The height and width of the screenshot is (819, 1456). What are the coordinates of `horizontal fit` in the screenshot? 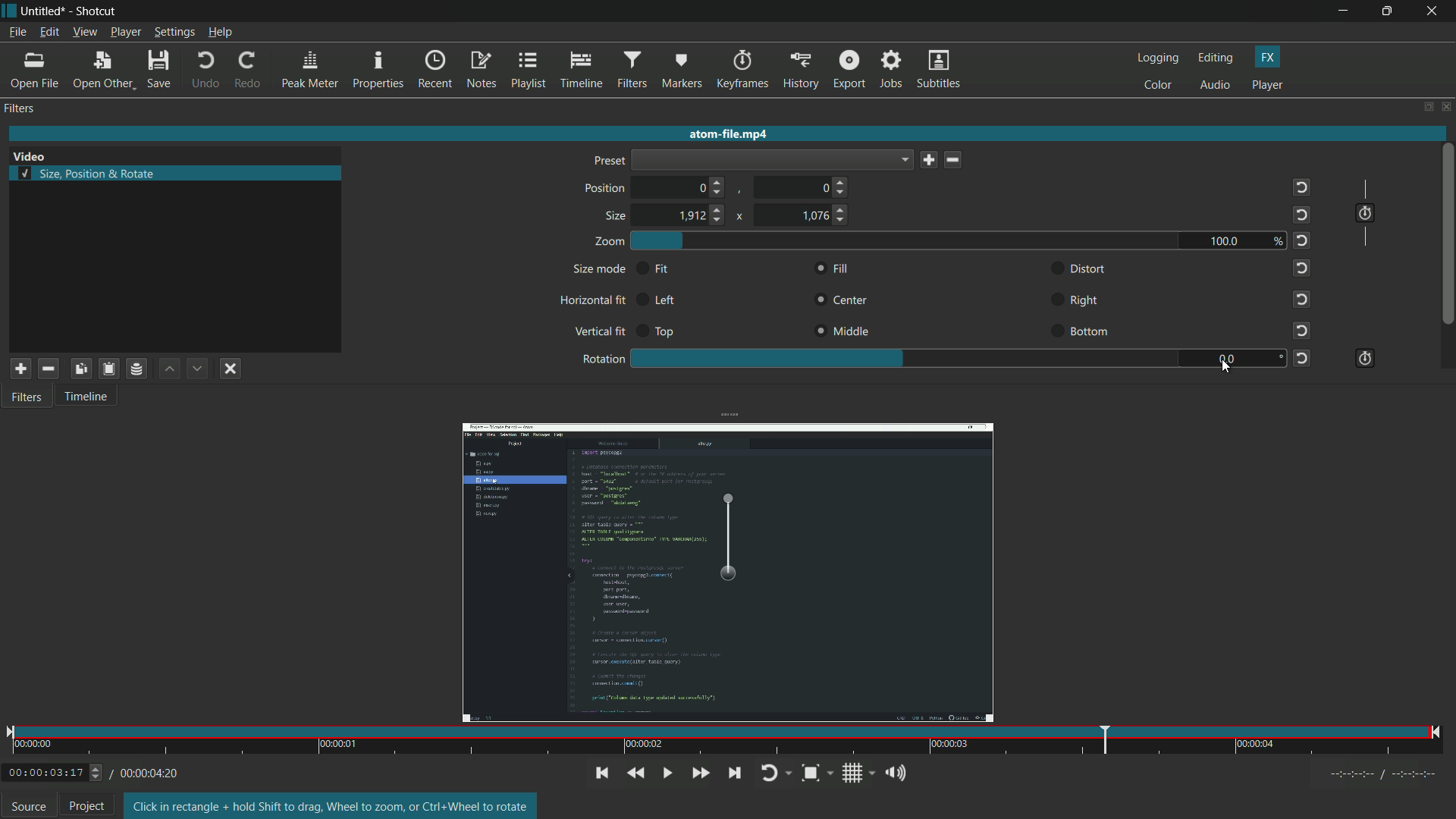 It's located at (594, 301).